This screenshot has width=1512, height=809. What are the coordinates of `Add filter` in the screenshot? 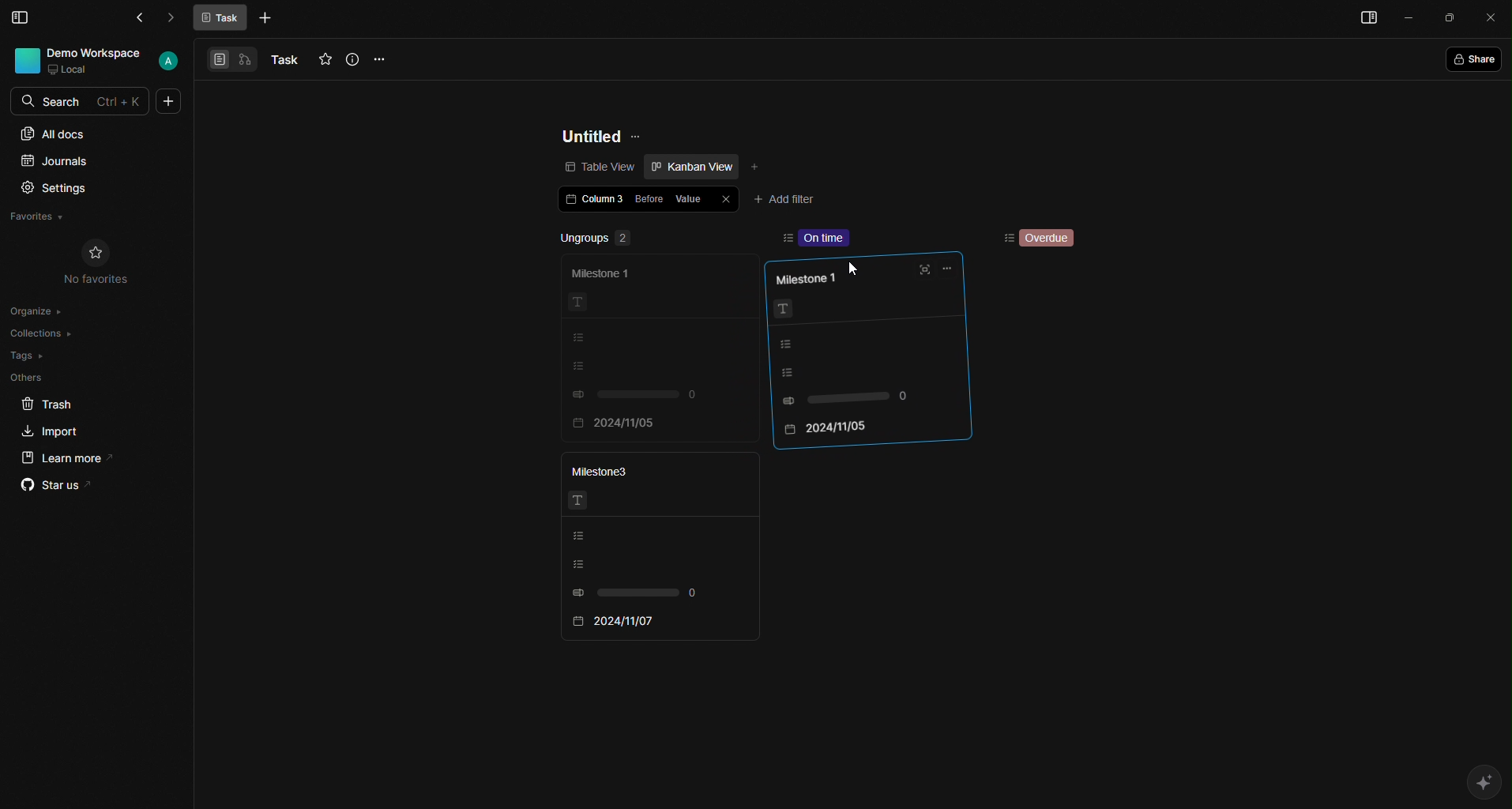 It's located at (784, 197).